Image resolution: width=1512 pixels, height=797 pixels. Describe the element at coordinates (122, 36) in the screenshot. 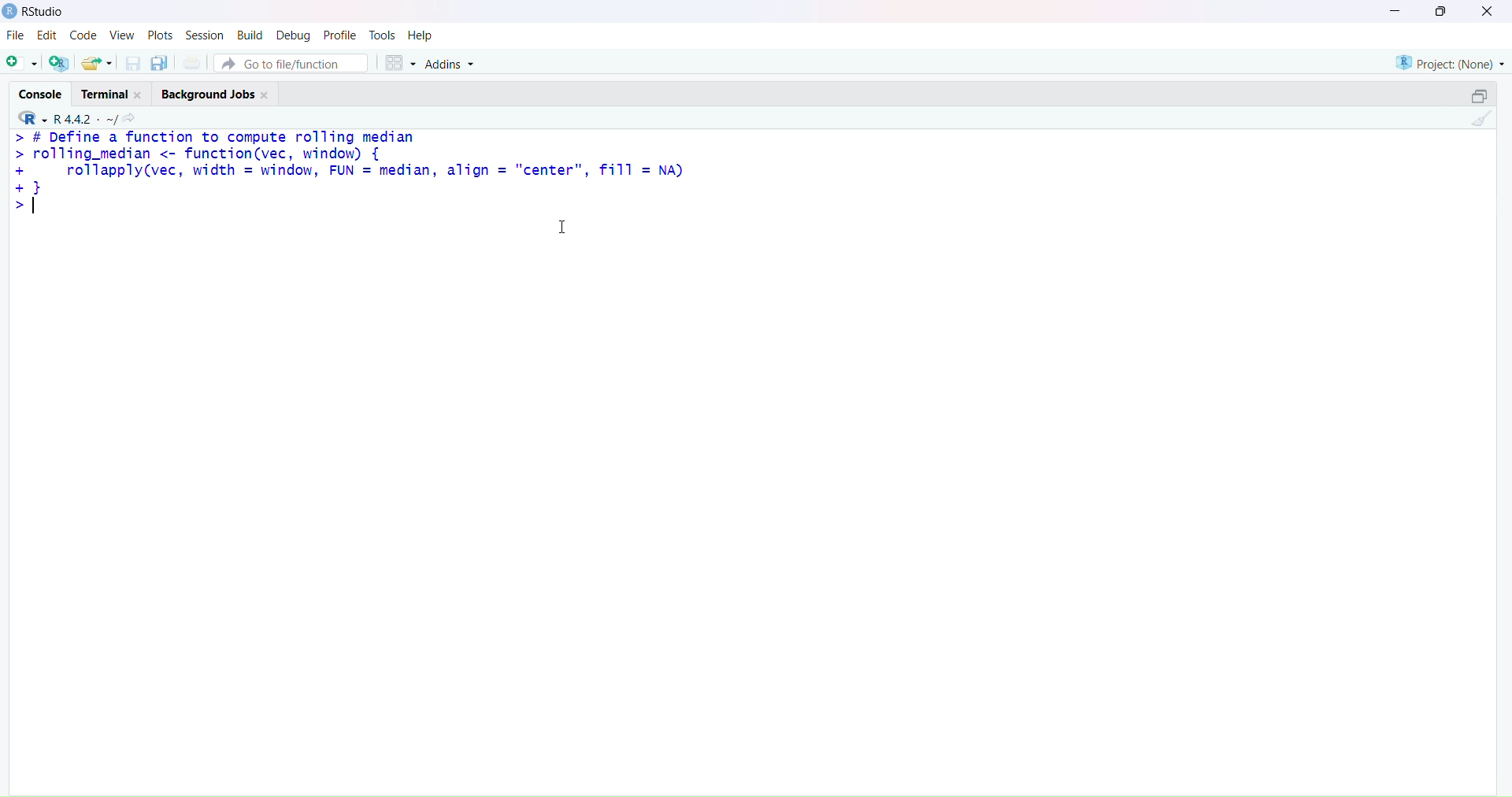

I see `view` at that location.